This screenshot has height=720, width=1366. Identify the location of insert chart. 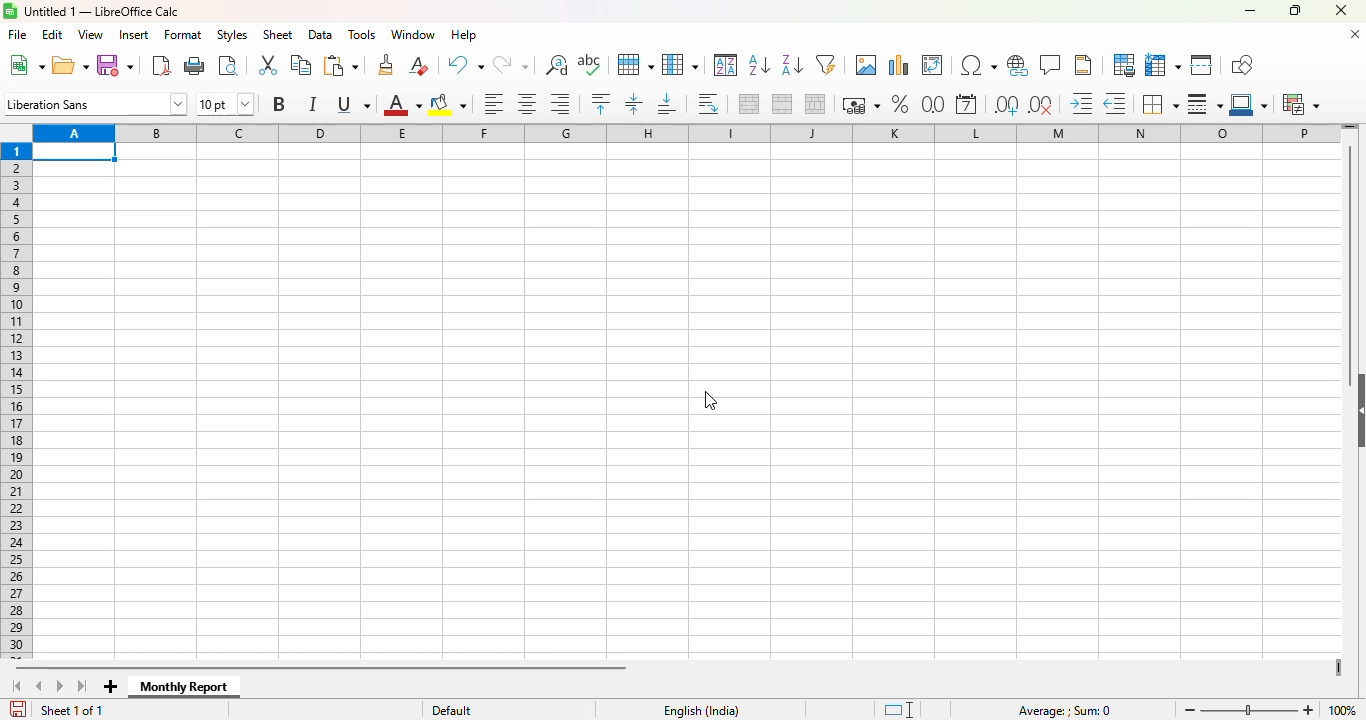
(897, 65).